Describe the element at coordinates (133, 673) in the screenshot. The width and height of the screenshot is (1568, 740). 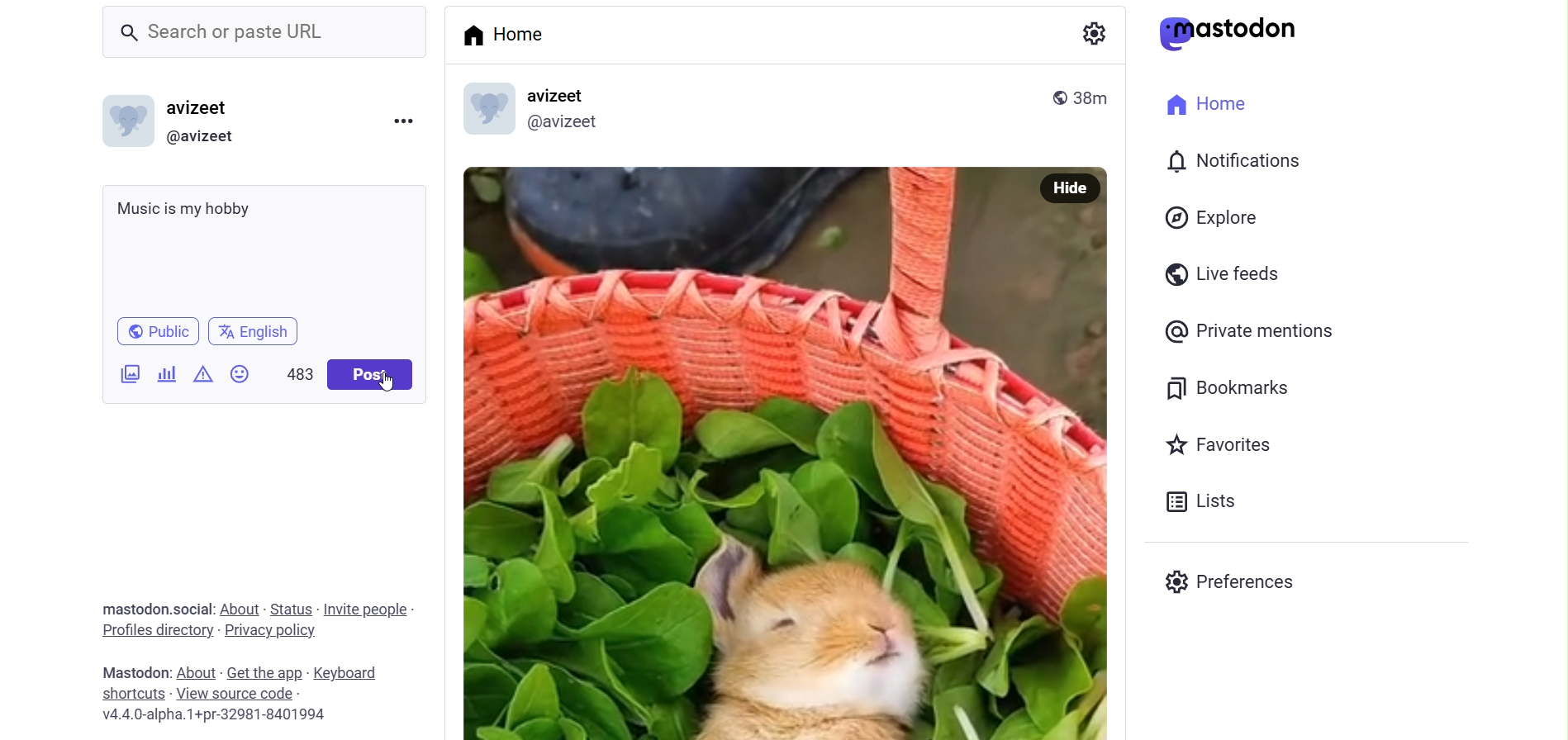
I see `Mastodon` at that location.